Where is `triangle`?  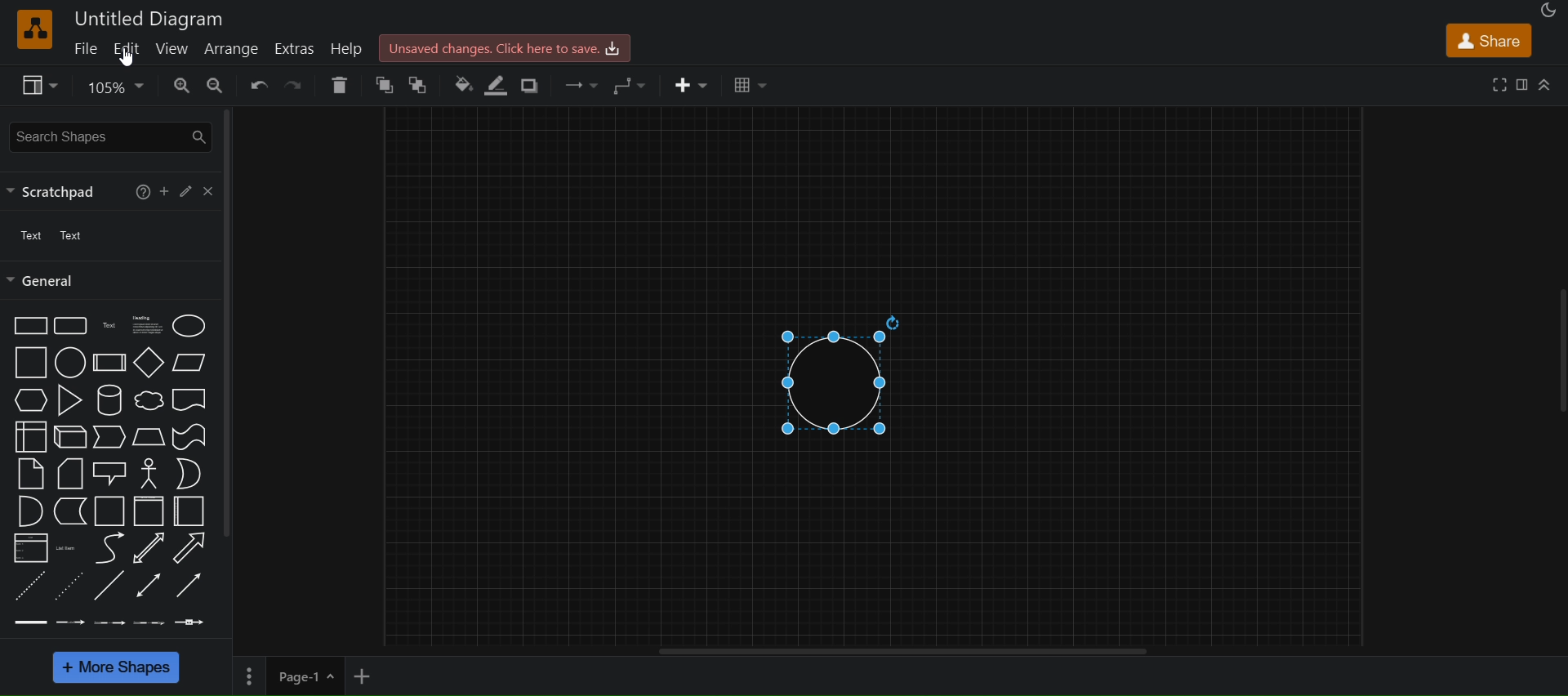 triangle is located at coordinates (69, 400).